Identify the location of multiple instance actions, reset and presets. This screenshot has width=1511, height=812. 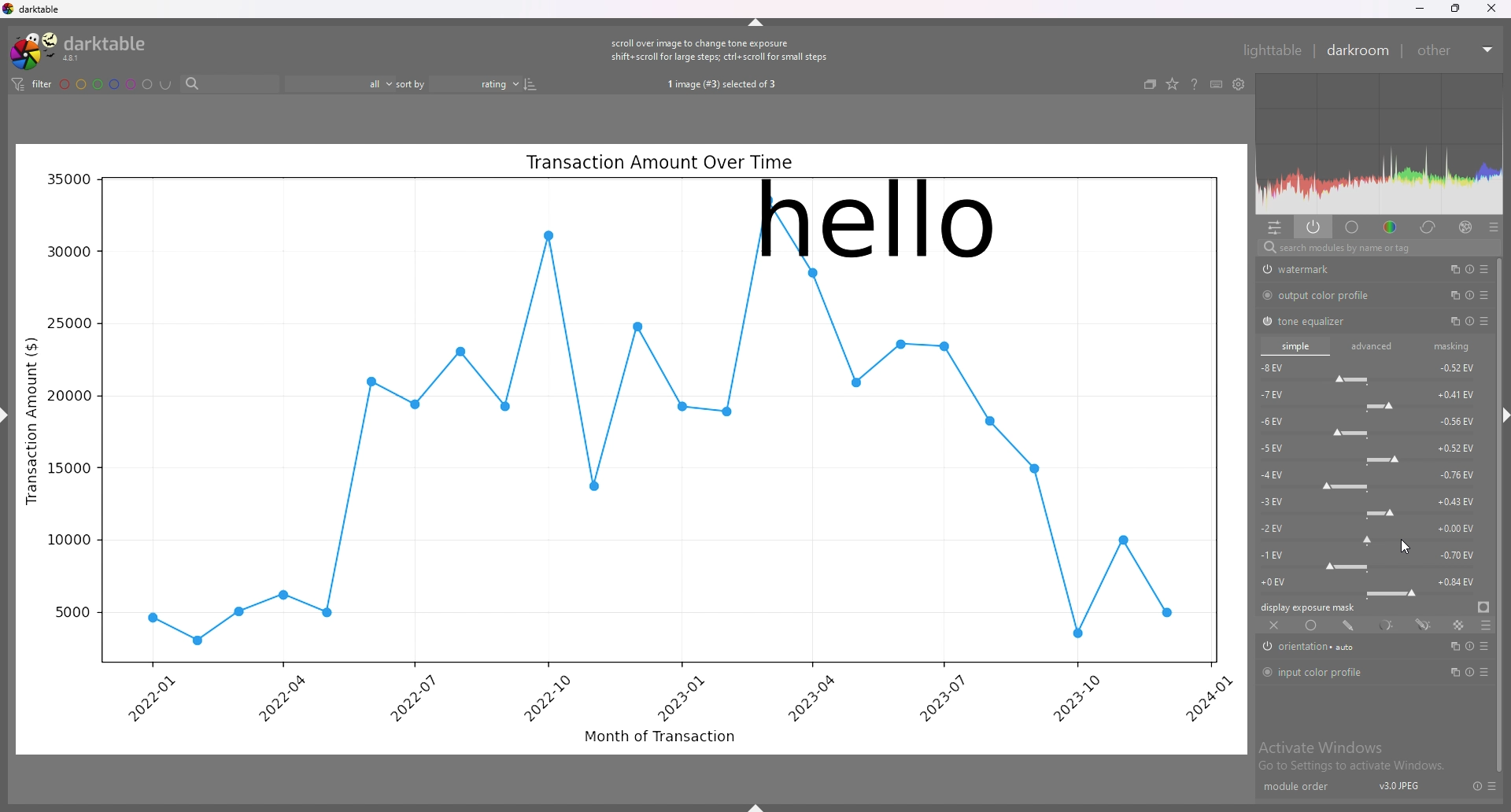
(1471, 671).